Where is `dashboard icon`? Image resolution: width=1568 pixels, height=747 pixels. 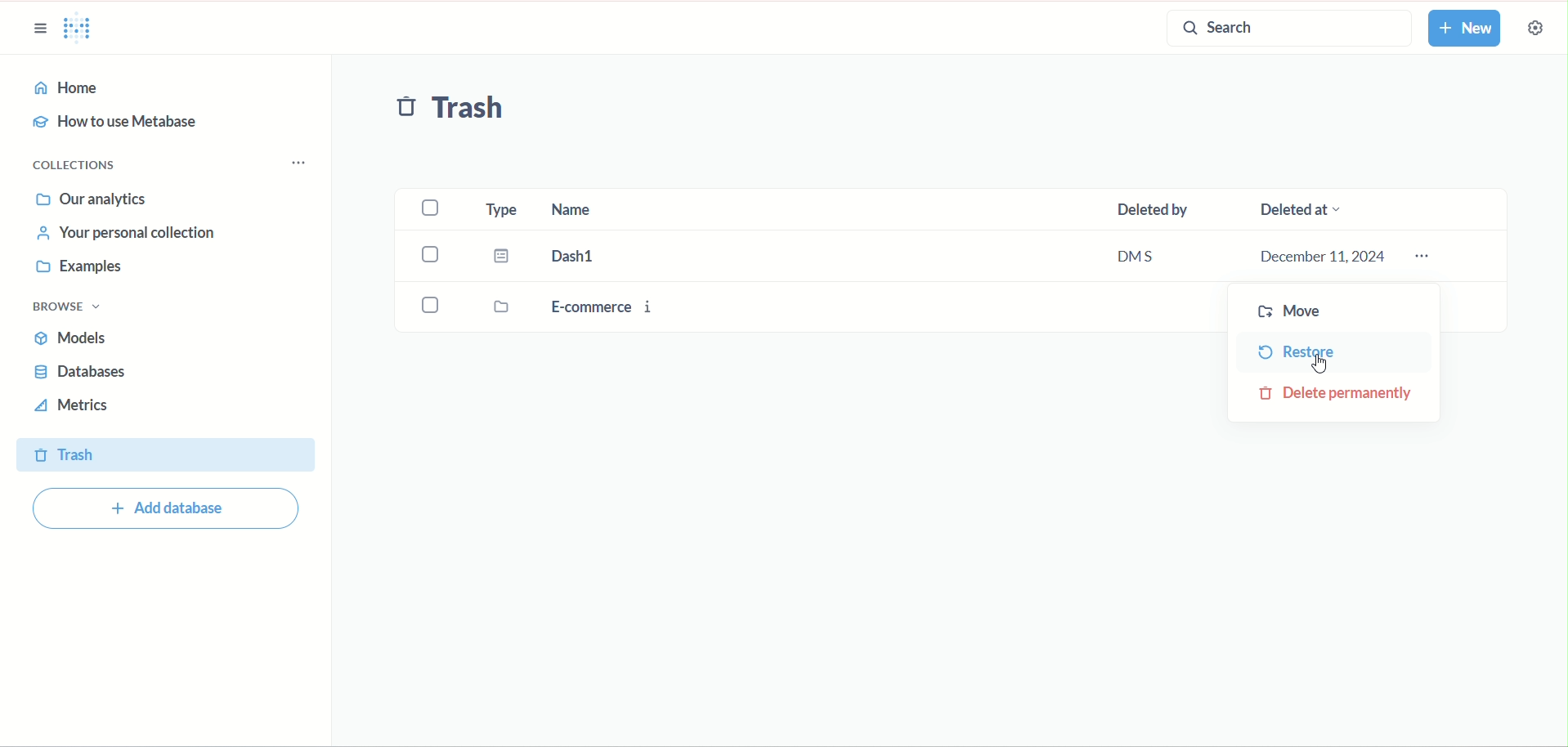 dashboard icon is located at coordinates (504, 258).